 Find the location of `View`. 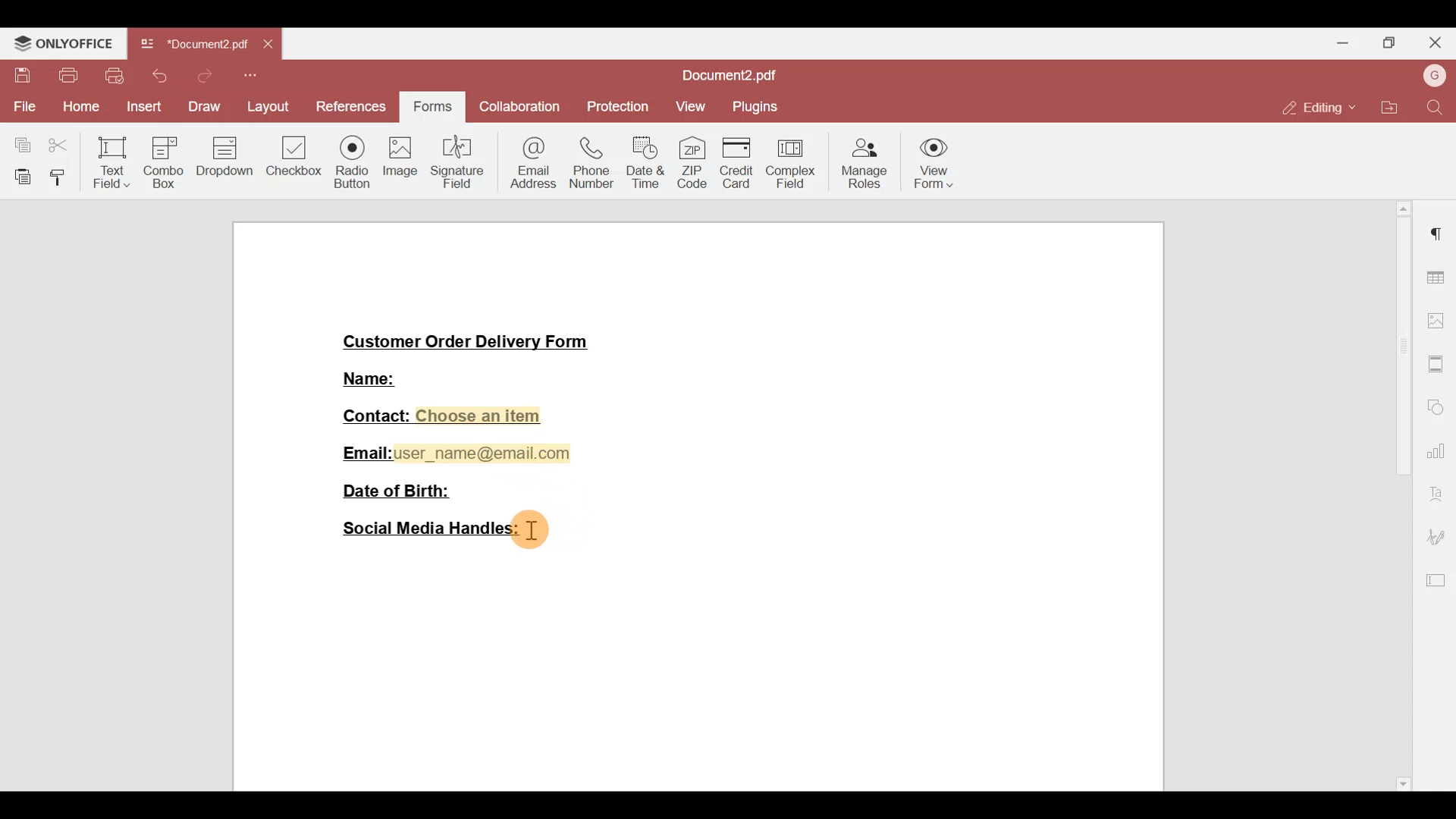

View is located at coordinates (689, 110).